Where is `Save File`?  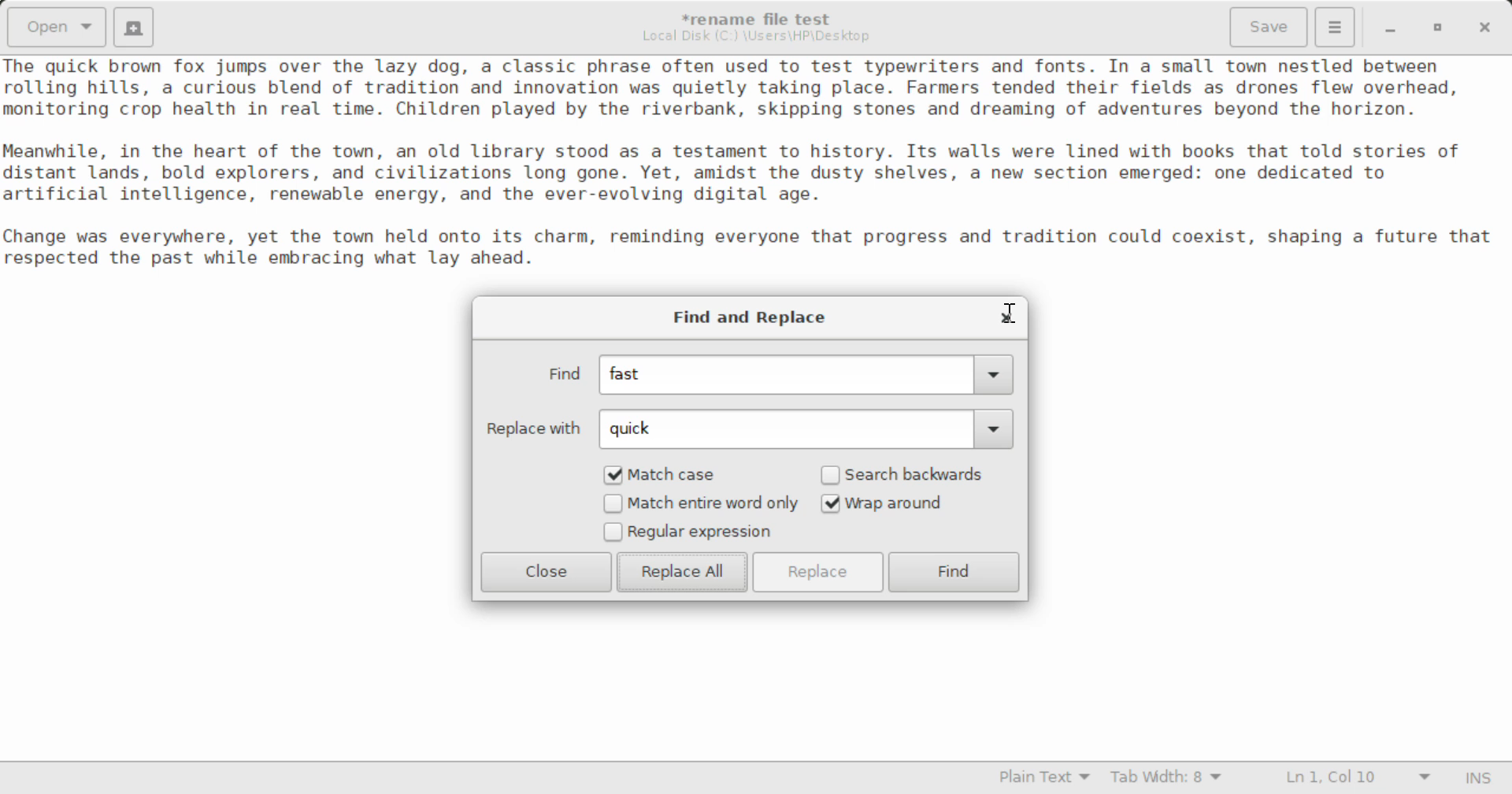 Save File is located at coordinates (1271, 25).